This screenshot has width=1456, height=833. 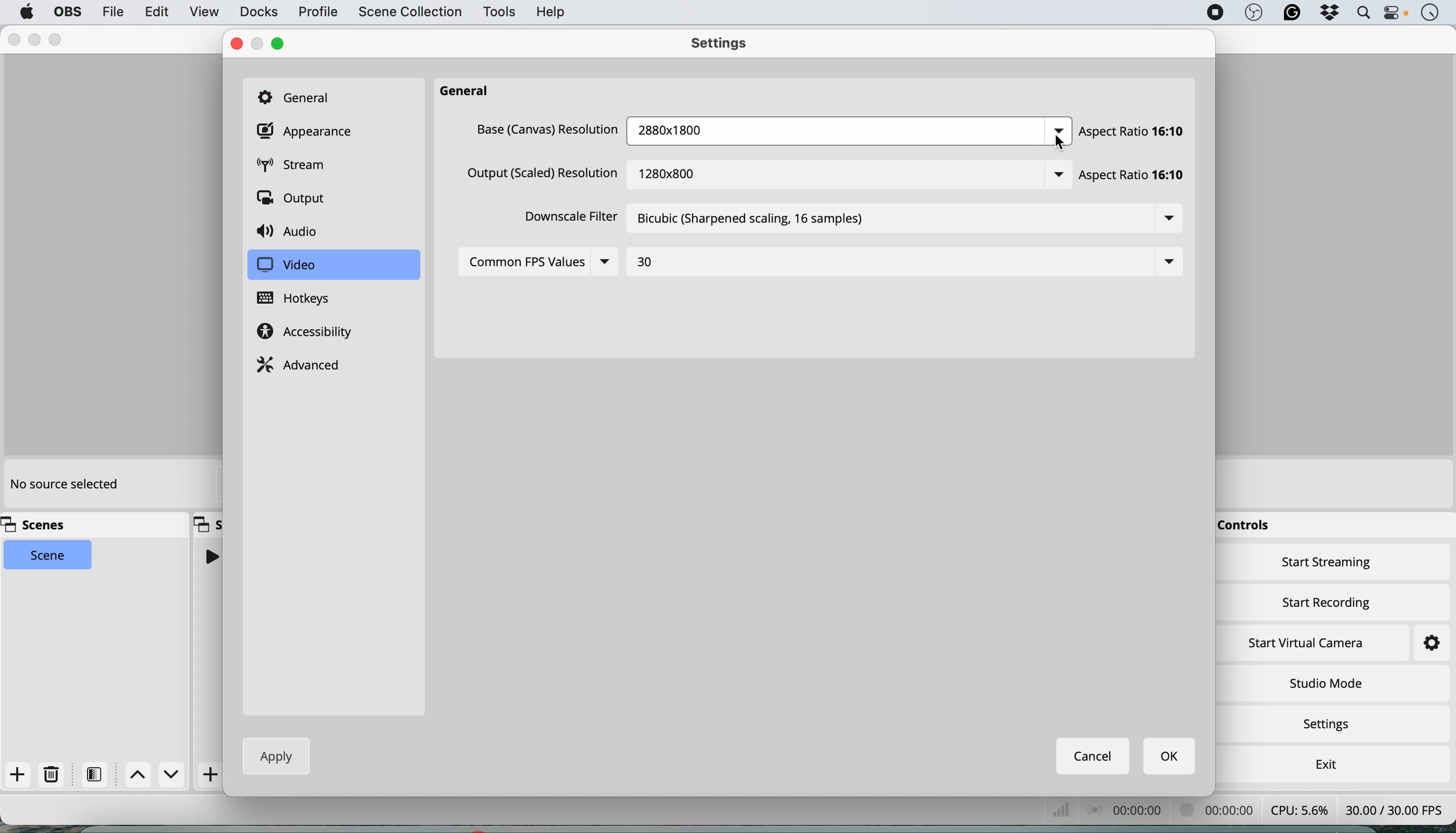 I want to click on cancel, so click(x=1094, y=756).